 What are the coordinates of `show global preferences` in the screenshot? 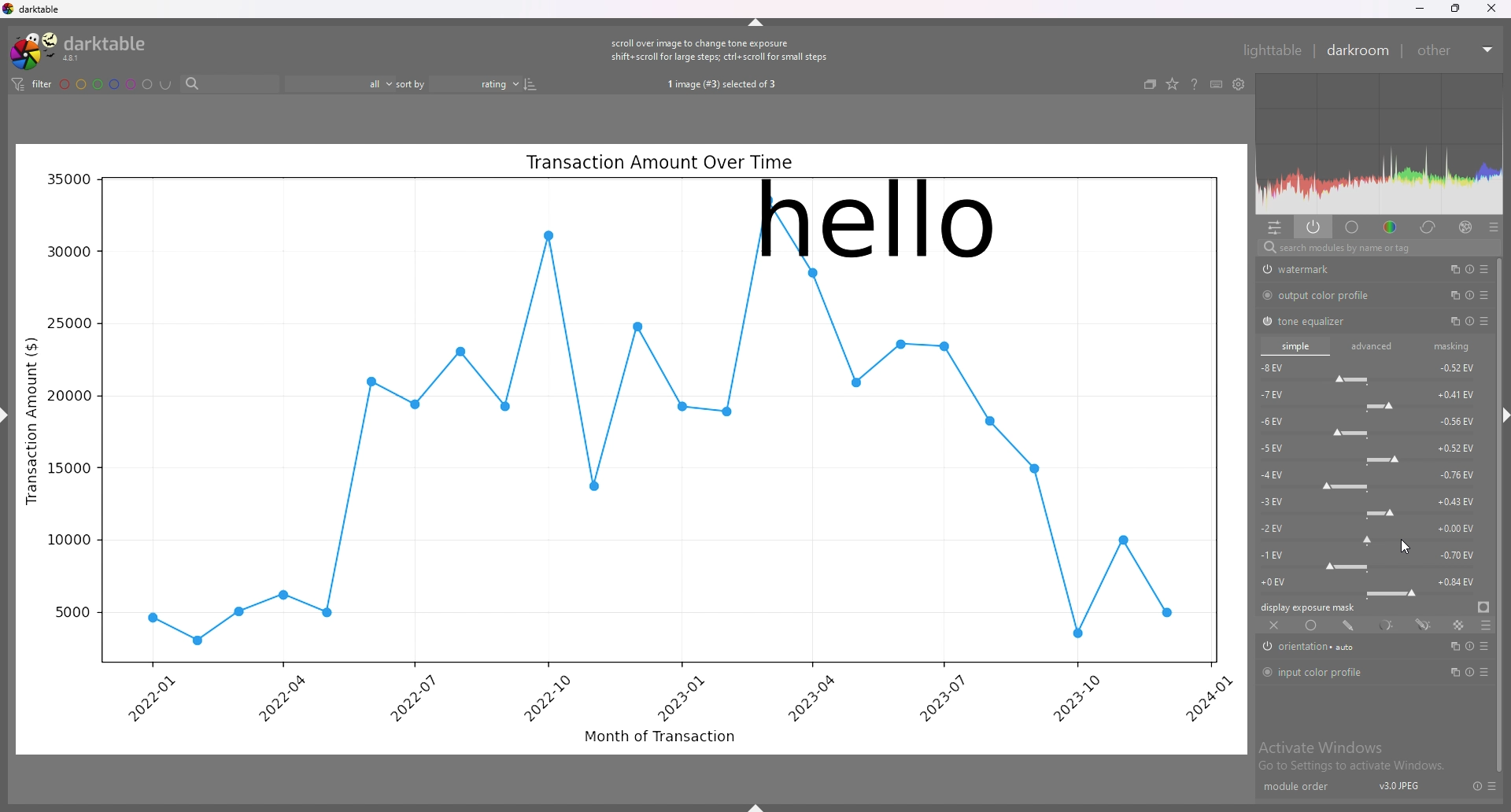 It's located at (1239, 83).